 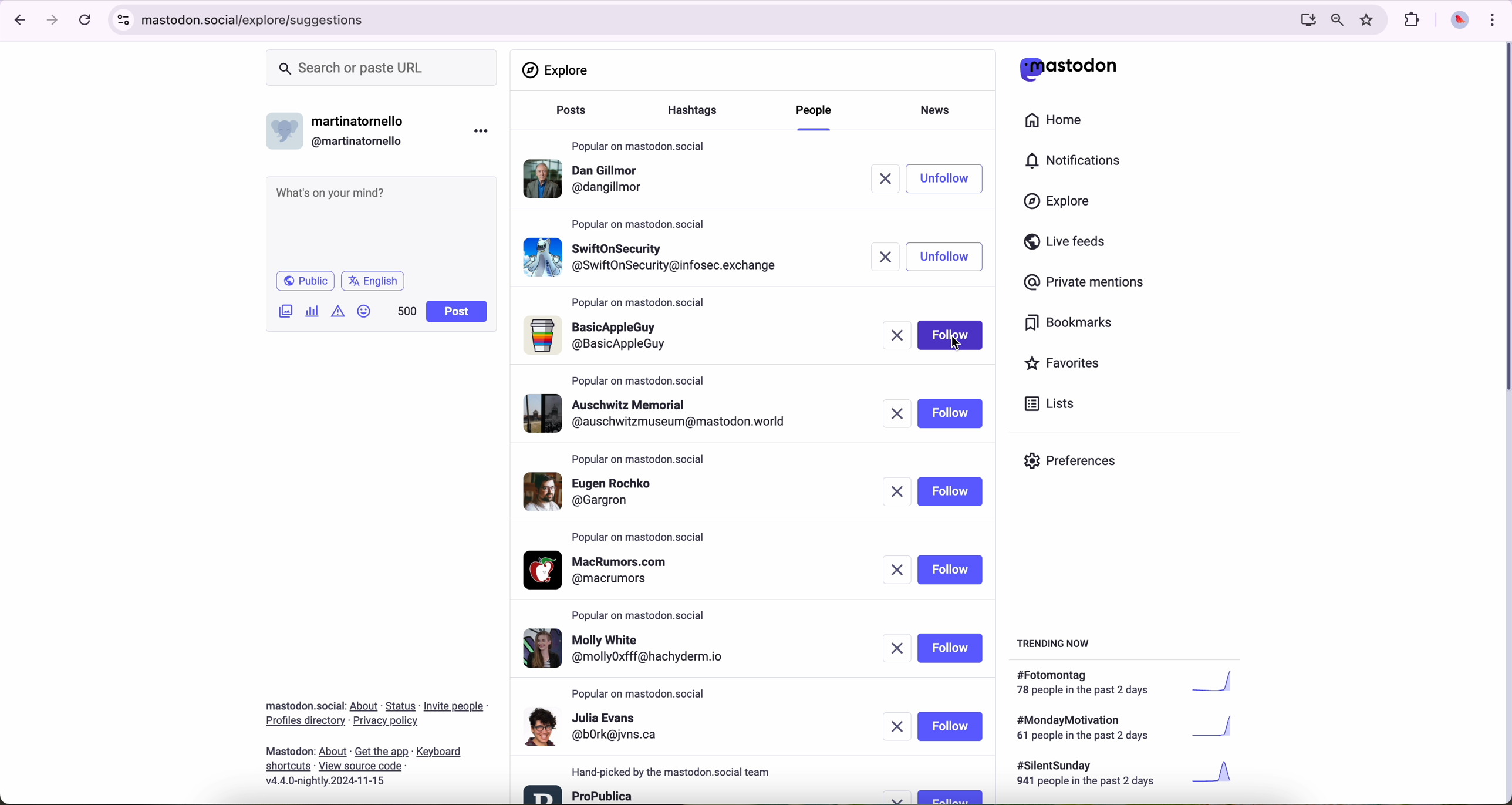 What do you see at coordinates (406, 311) in the screenshot?
I see `500 characters` at bounding box center [406, 311].